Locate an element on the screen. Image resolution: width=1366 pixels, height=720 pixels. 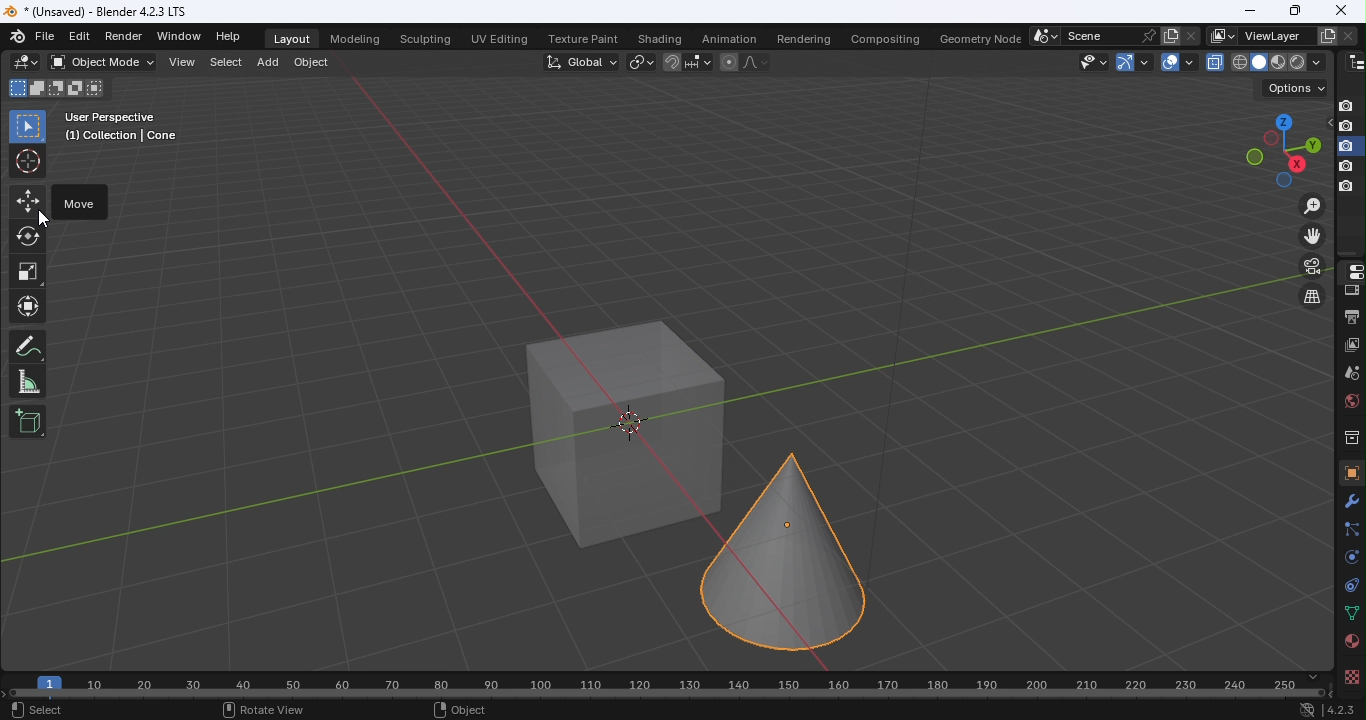
Add is located at coordinates (268, 65).